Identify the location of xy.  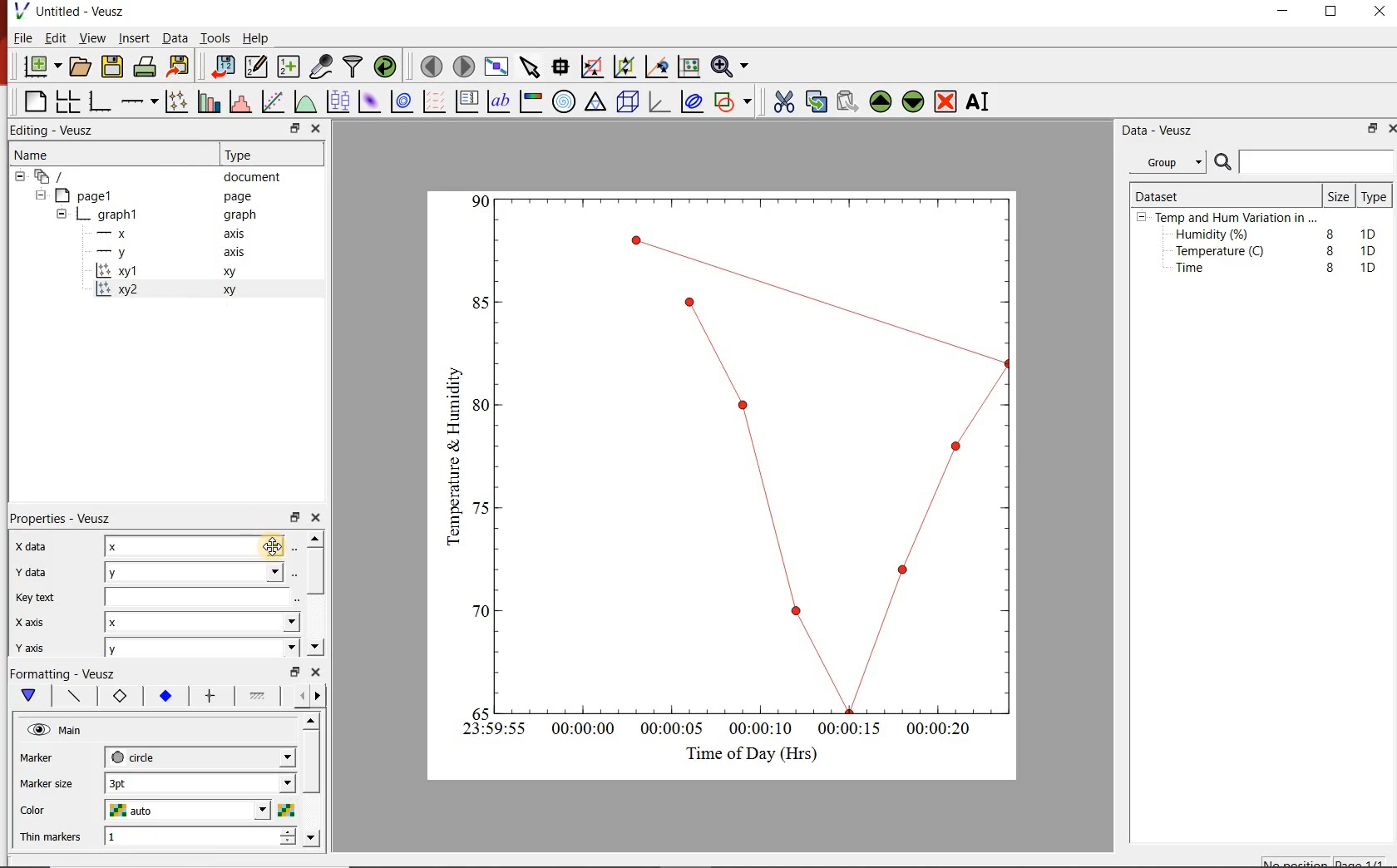
(233, 274).